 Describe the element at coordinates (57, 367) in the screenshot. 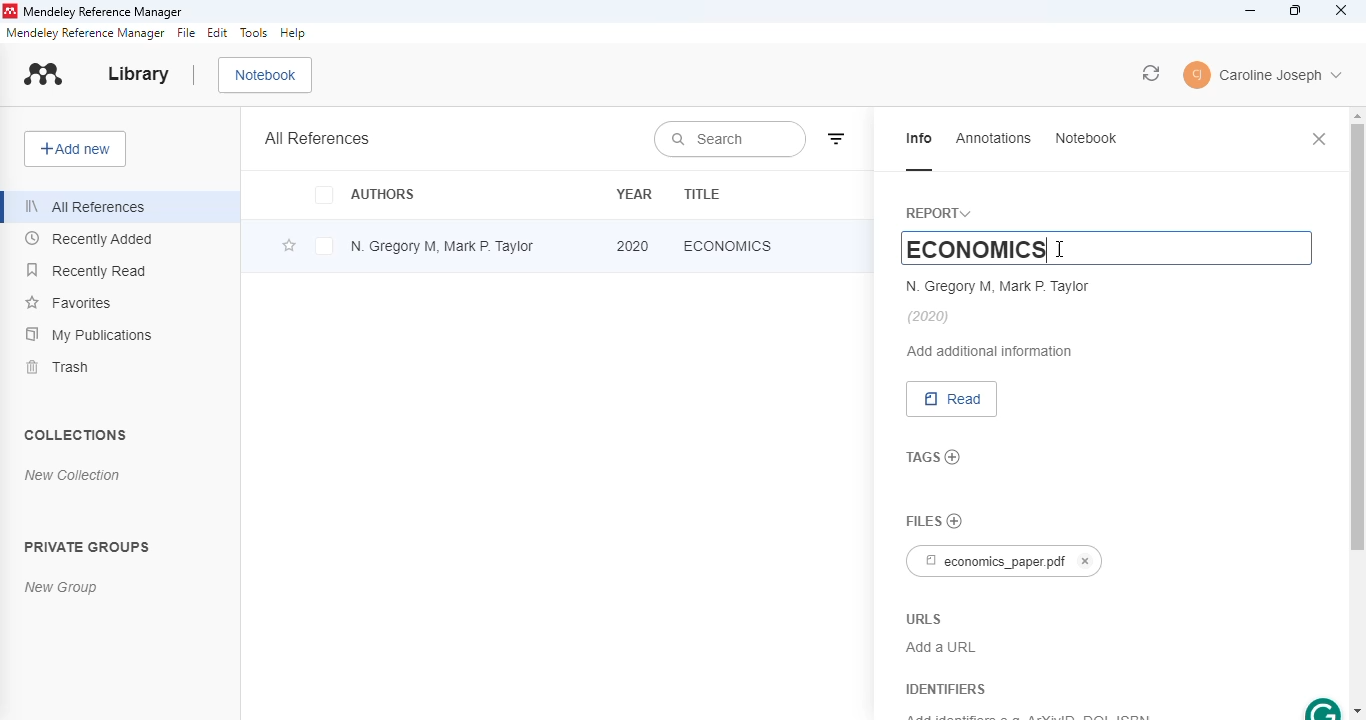

I see `trash` at that location.